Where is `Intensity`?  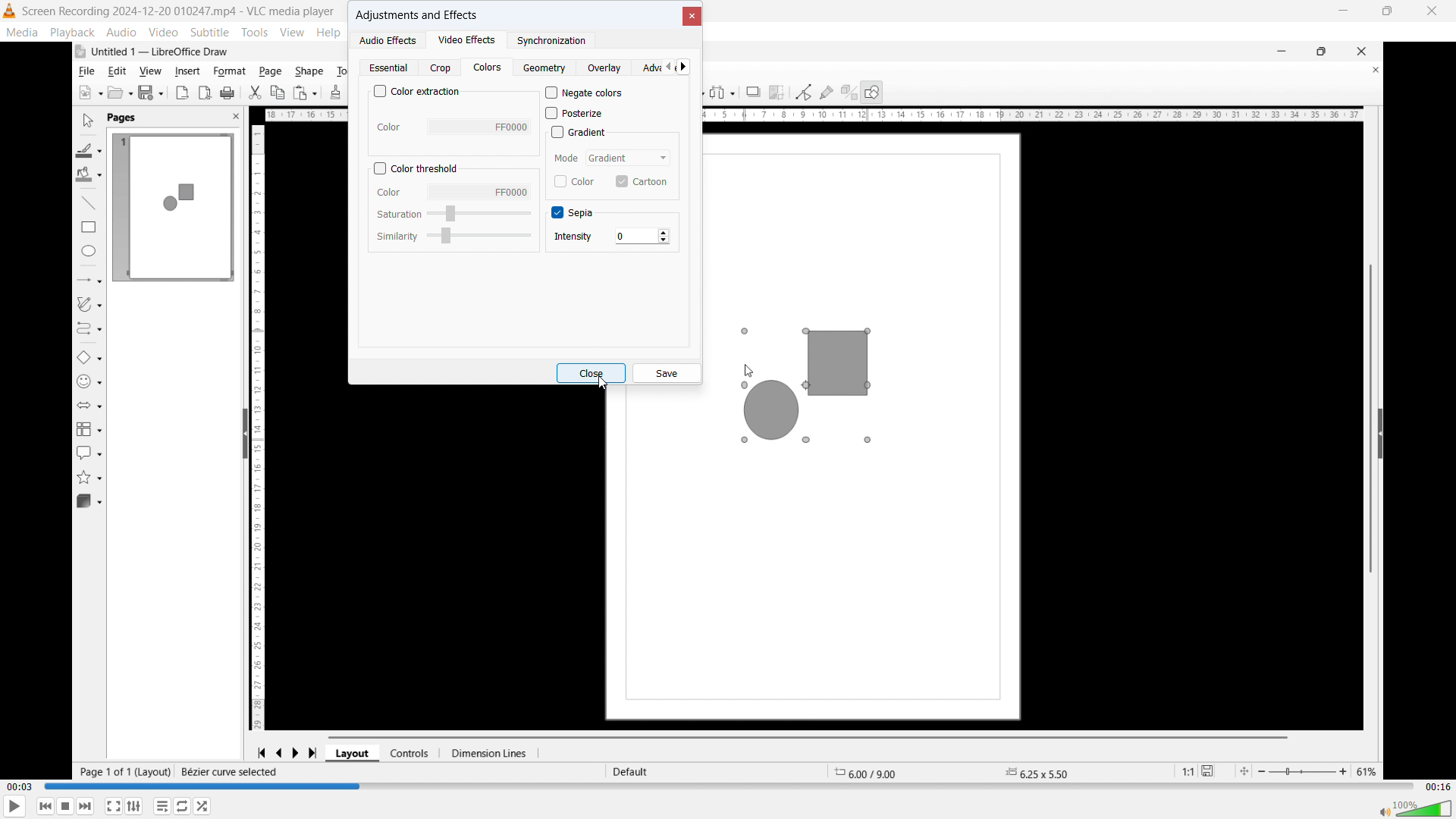
Intensity is located at coordinates (573, 237).